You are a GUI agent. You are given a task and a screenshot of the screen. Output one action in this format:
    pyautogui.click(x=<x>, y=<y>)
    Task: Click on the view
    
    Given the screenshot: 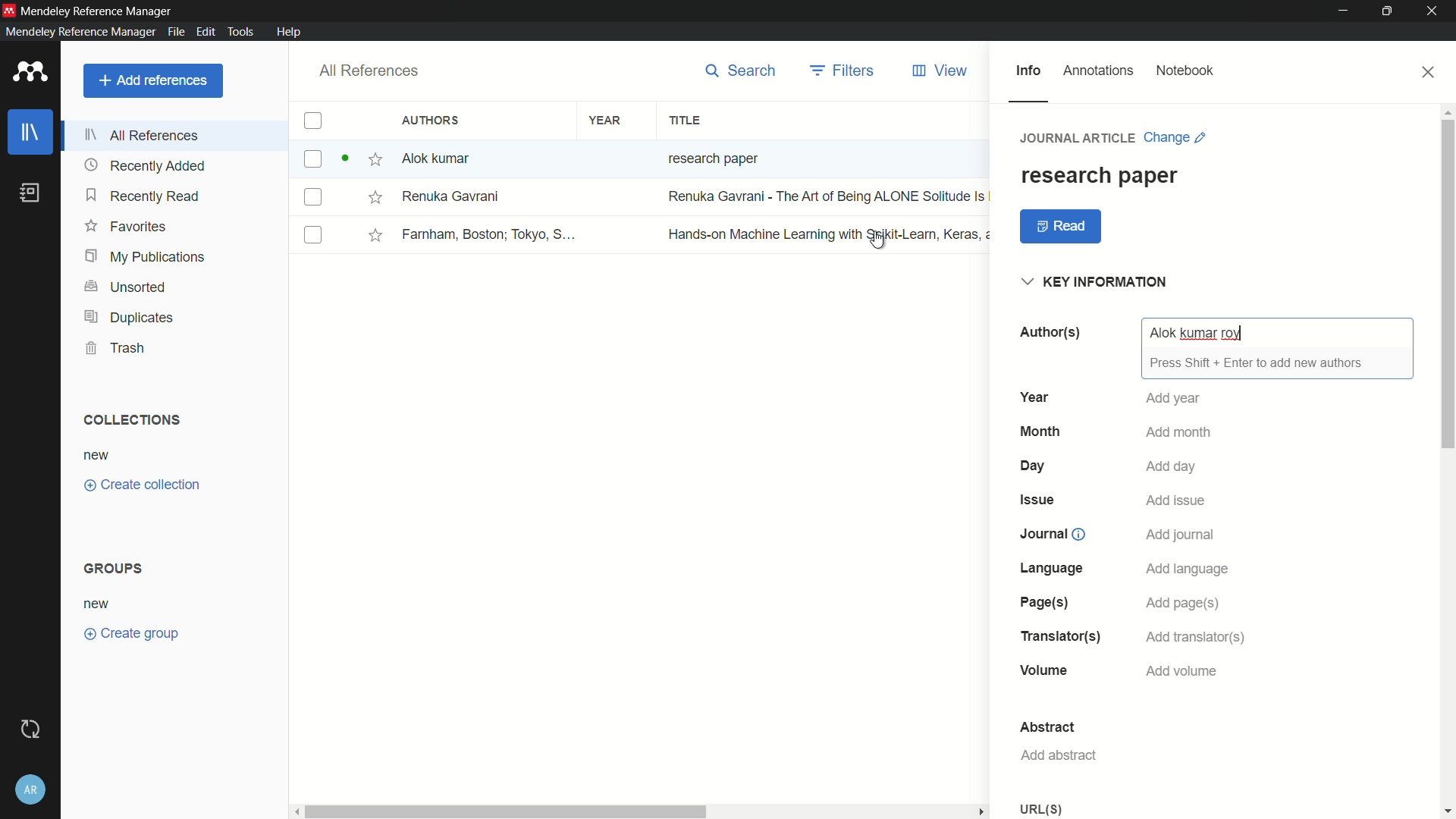 What is the action you would take?
    pyautogui.click(x=941, y=71)
    